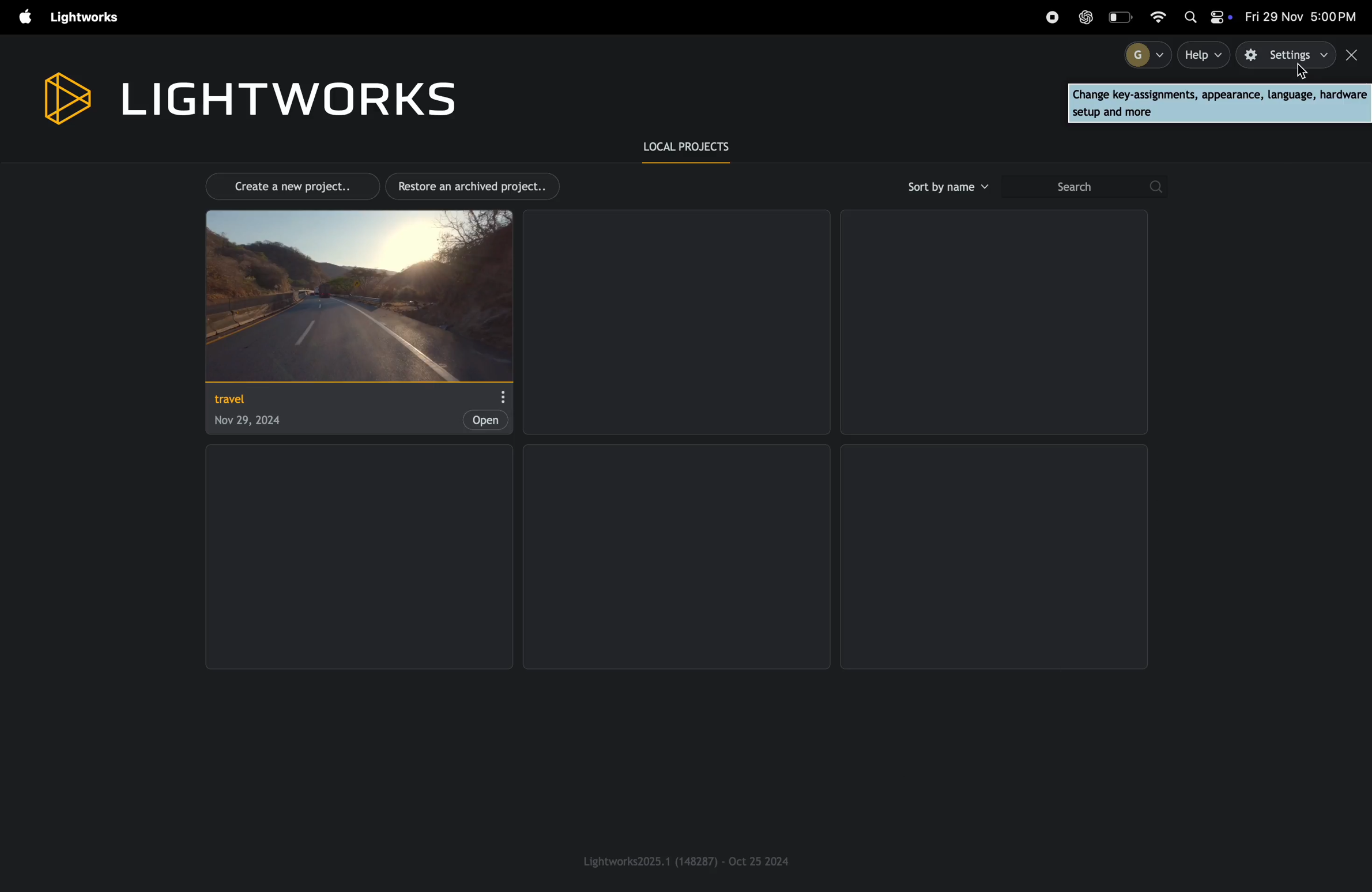 The image size is (1372, 892). What do you see at coordinates (1219, 103) in the screenshot?
I see `description` at bounding box center [1219, 103].